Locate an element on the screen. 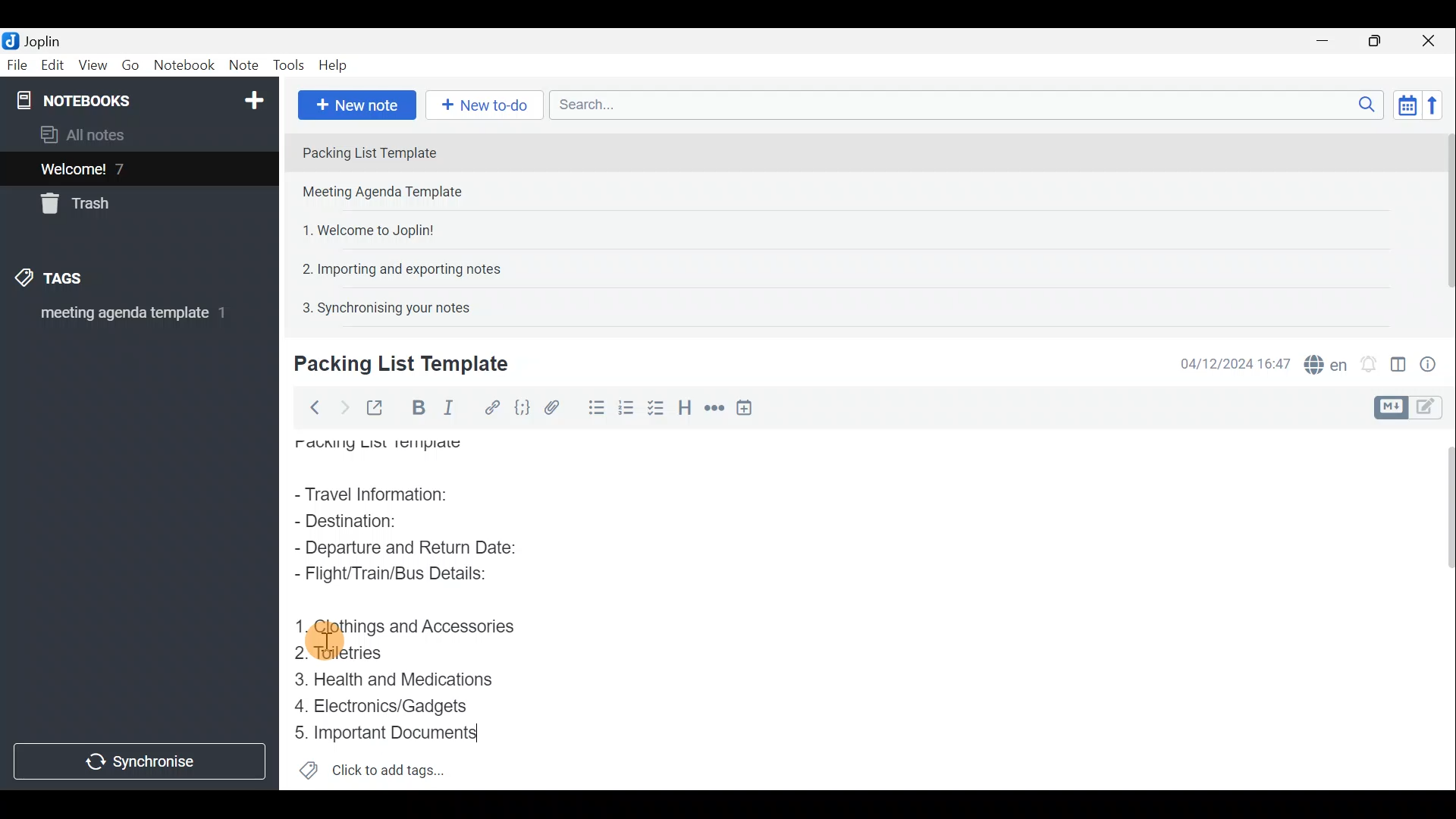  Go is located at coordinates (131, 65).